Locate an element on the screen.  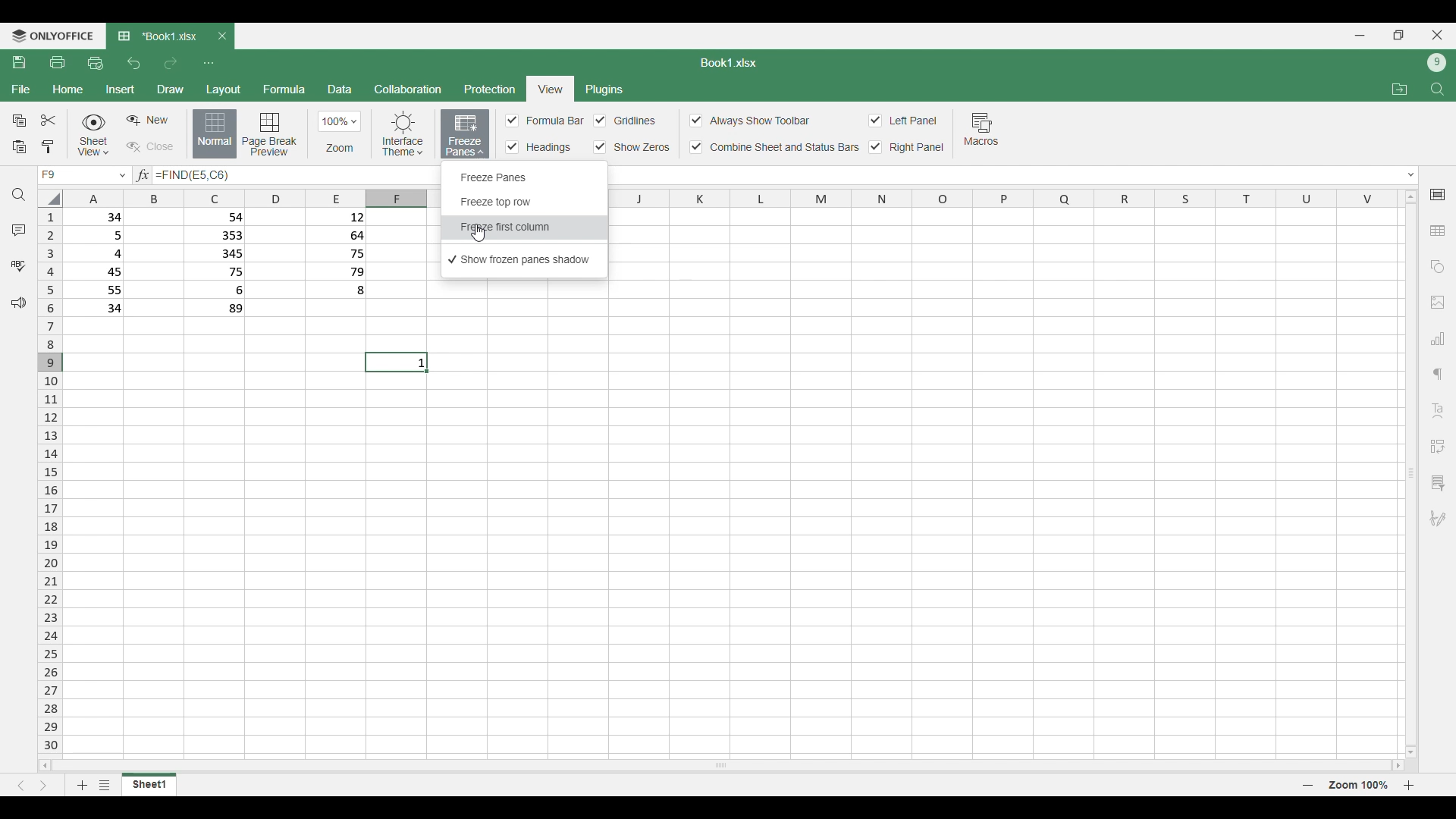
Redo is located at coordinates (171, 64).